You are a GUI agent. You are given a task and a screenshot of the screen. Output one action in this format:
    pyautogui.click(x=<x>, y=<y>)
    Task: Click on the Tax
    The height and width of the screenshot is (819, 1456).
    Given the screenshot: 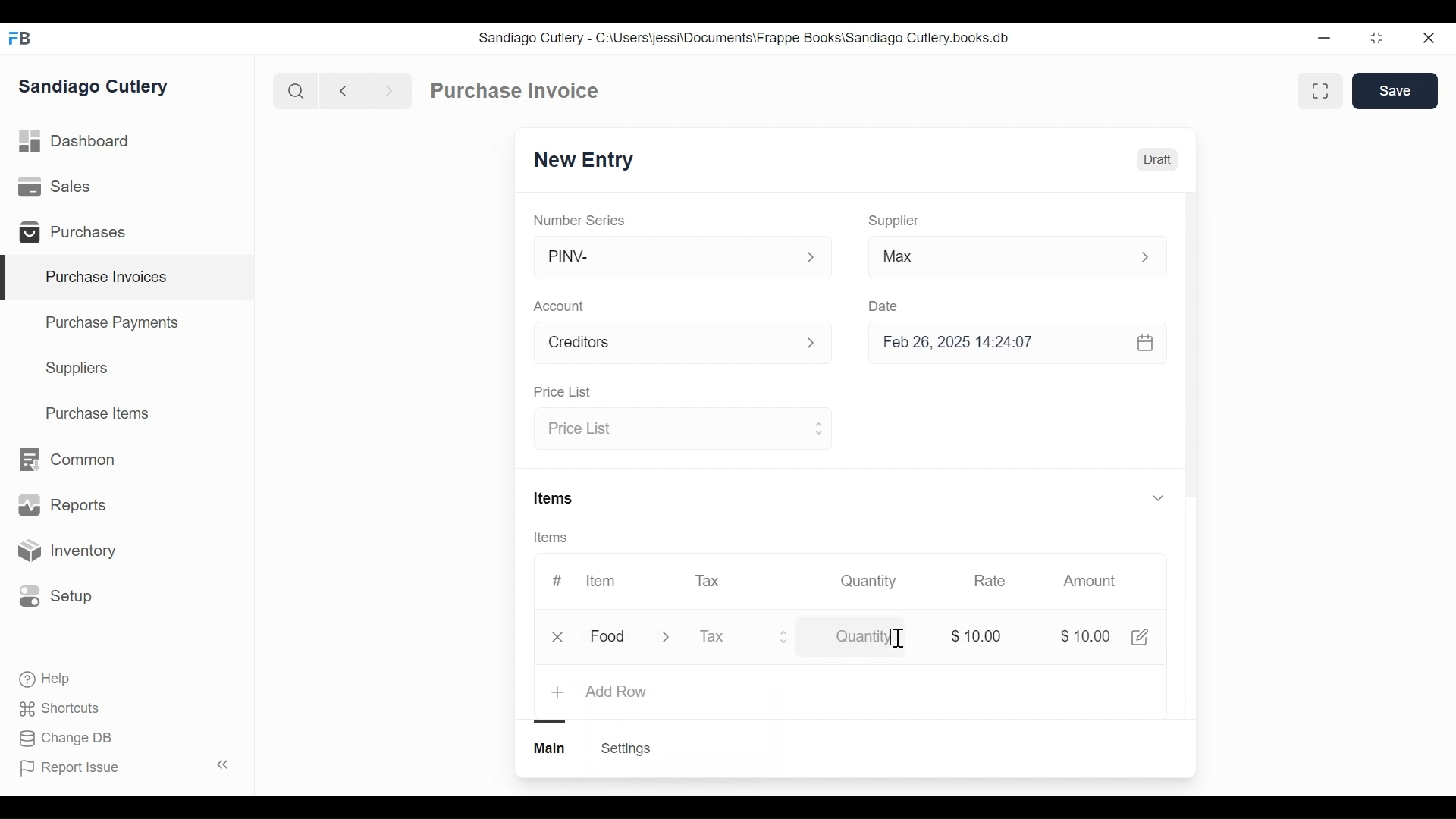 What is the action you would take?
    pyautogui.click(x=710, y=579)
    